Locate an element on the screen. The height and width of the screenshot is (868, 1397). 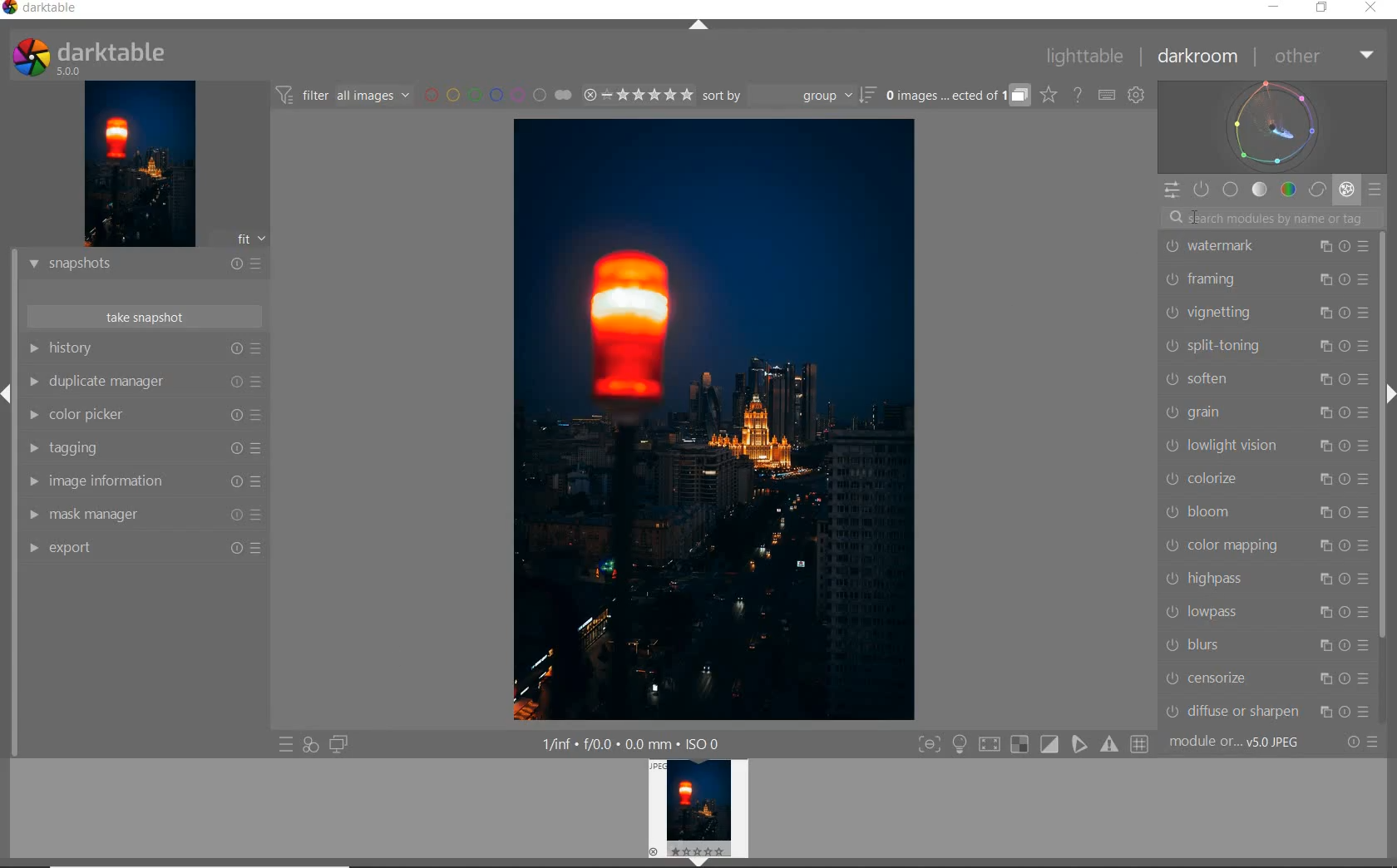
Reset is located at coordinates (1345, 614).